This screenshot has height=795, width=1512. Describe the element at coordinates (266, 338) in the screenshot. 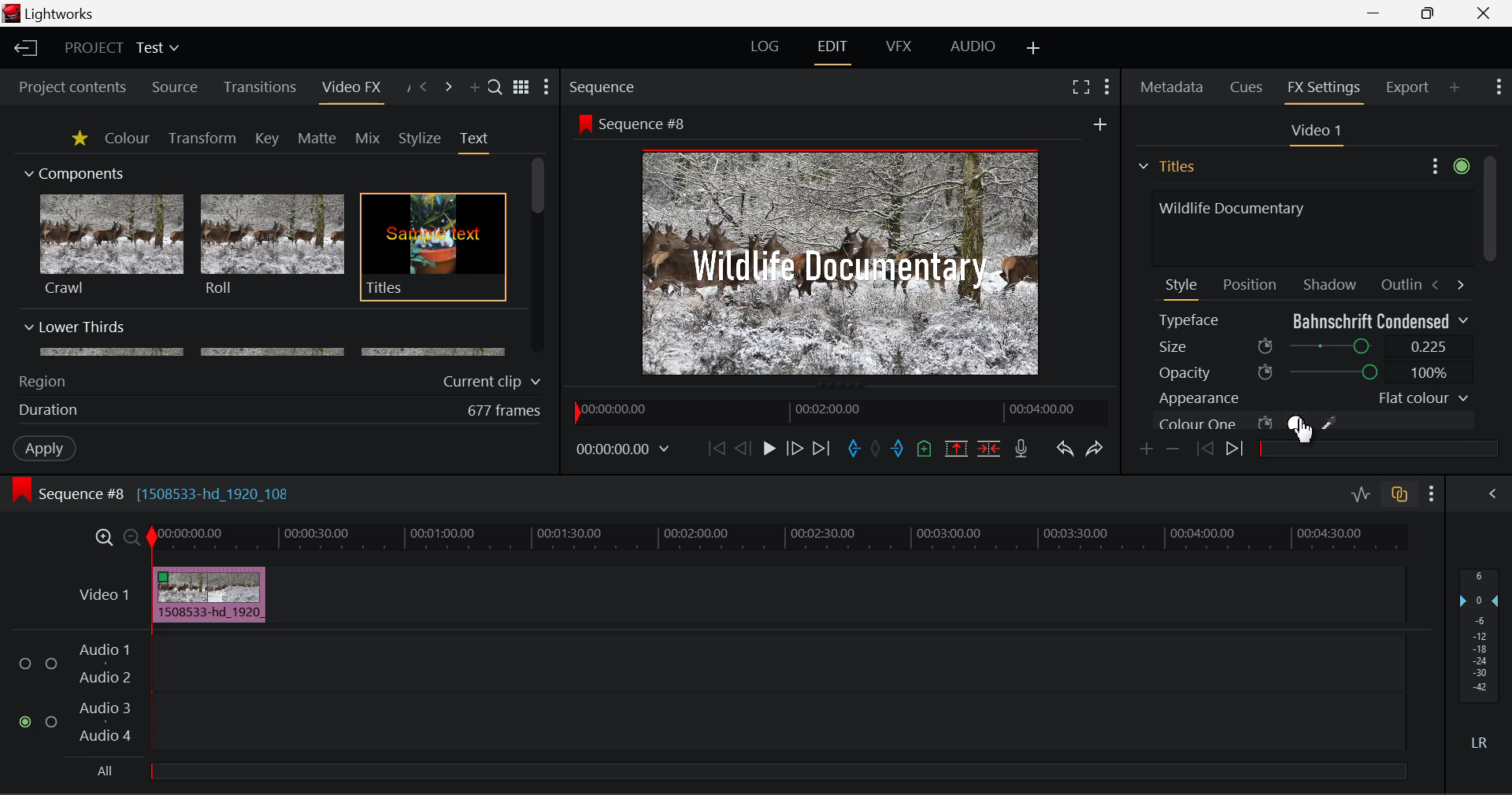

I see `Lower Thirds` at that location.